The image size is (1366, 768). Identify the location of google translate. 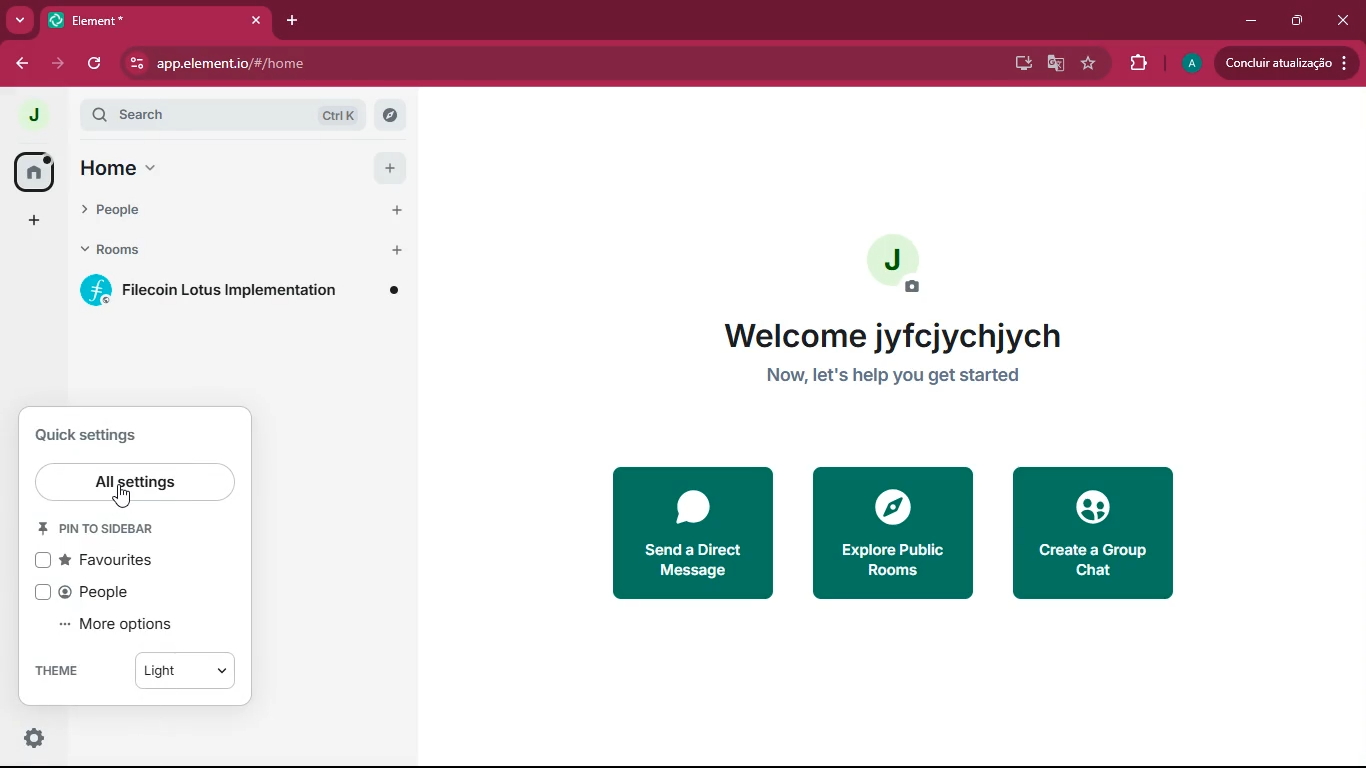
(1052, 66).